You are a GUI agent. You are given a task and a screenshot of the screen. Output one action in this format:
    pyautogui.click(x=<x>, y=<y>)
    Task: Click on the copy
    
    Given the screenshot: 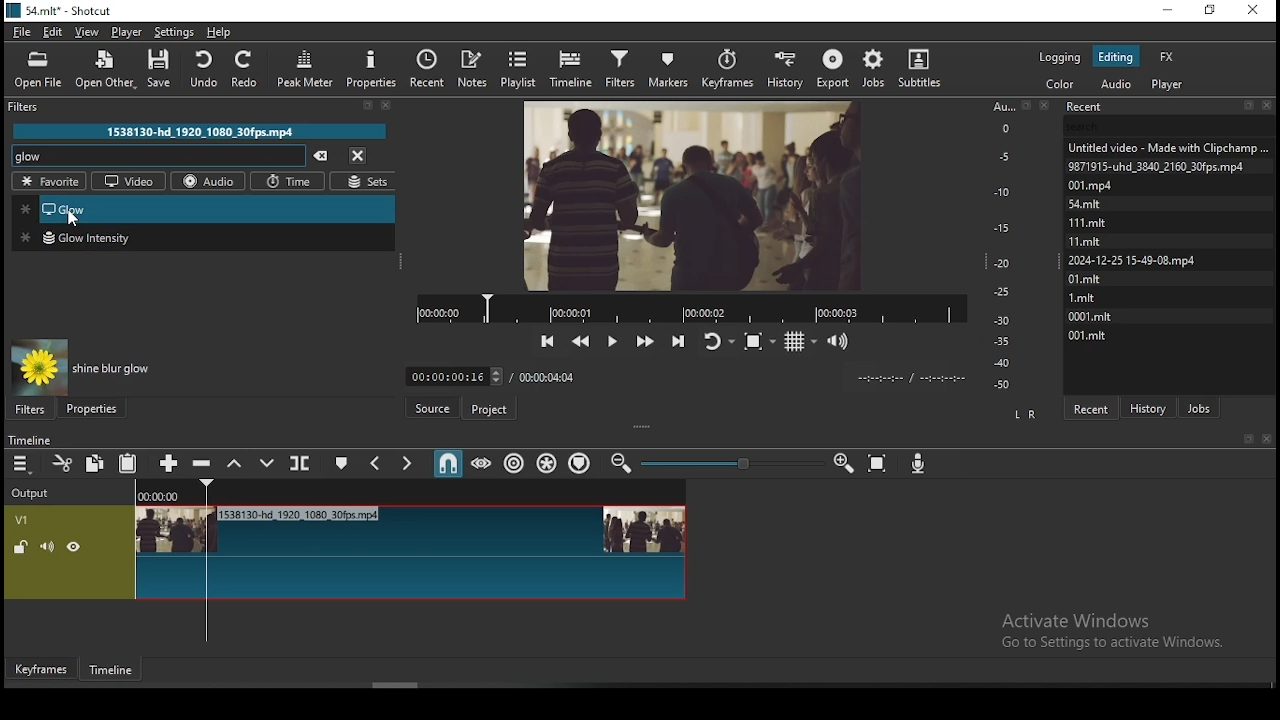 What is the action you would take?
    pyautogui.click(x=95, y=462)
    